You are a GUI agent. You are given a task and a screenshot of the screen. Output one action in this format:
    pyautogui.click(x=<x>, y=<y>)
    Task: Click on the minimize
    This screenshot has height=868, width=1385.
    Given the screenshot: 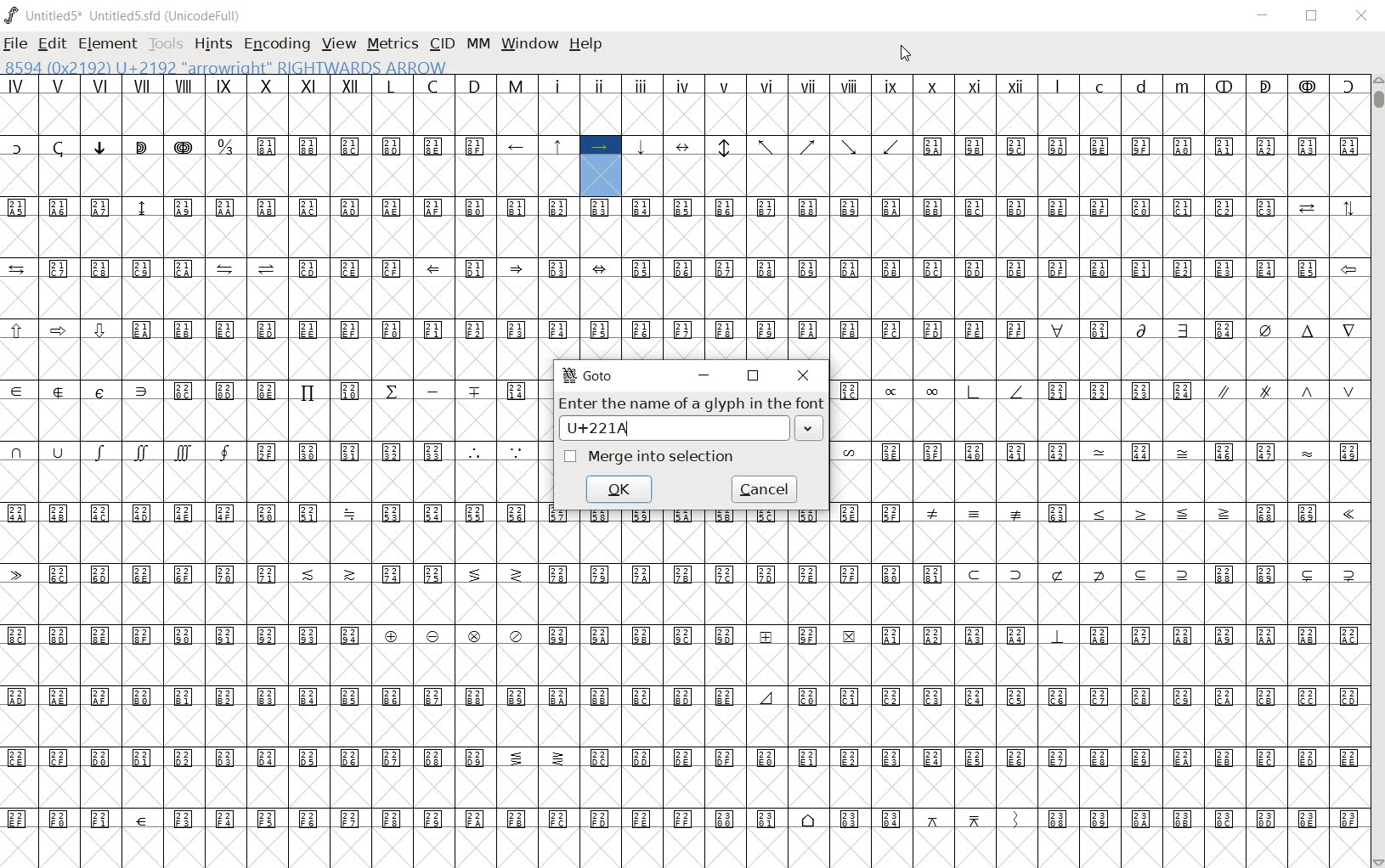 What is the action you would take?
    pyautogui.click(x=706, y=375)
    